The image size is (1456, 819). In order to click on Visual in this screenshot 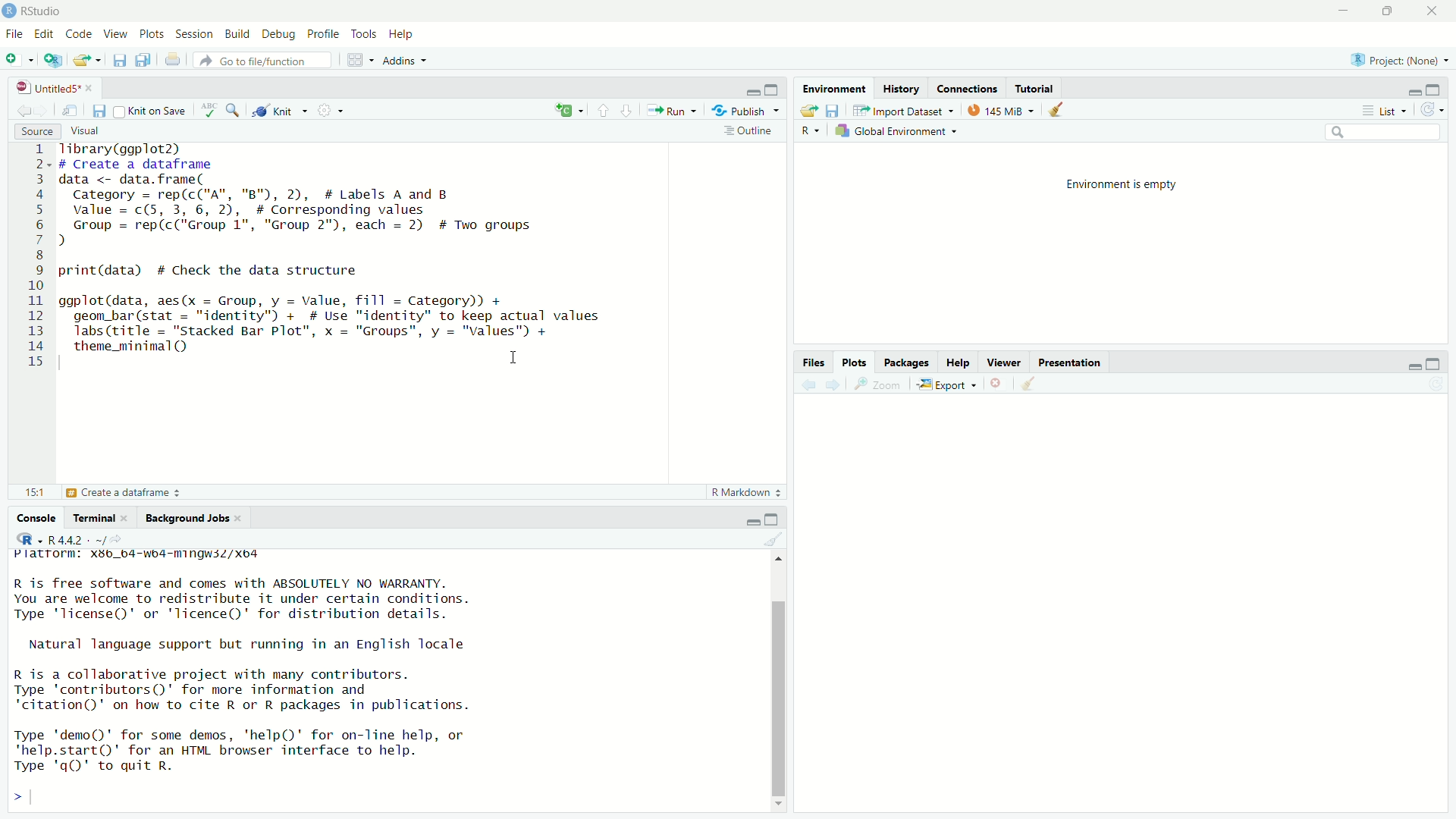, I will do `click(99, 131)`.